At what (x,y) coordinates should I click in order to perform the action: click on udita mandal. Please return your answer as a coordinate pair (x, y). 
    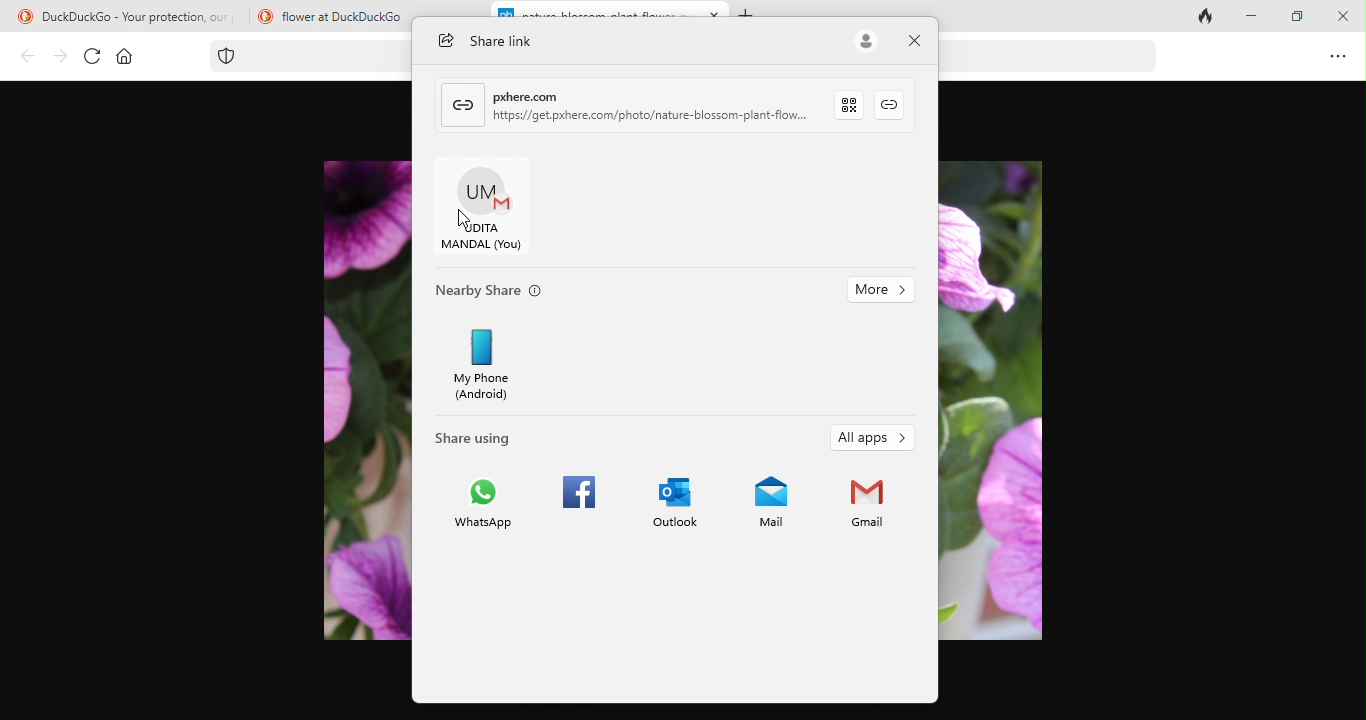
    Looking at the image, I should click on (489, 210).